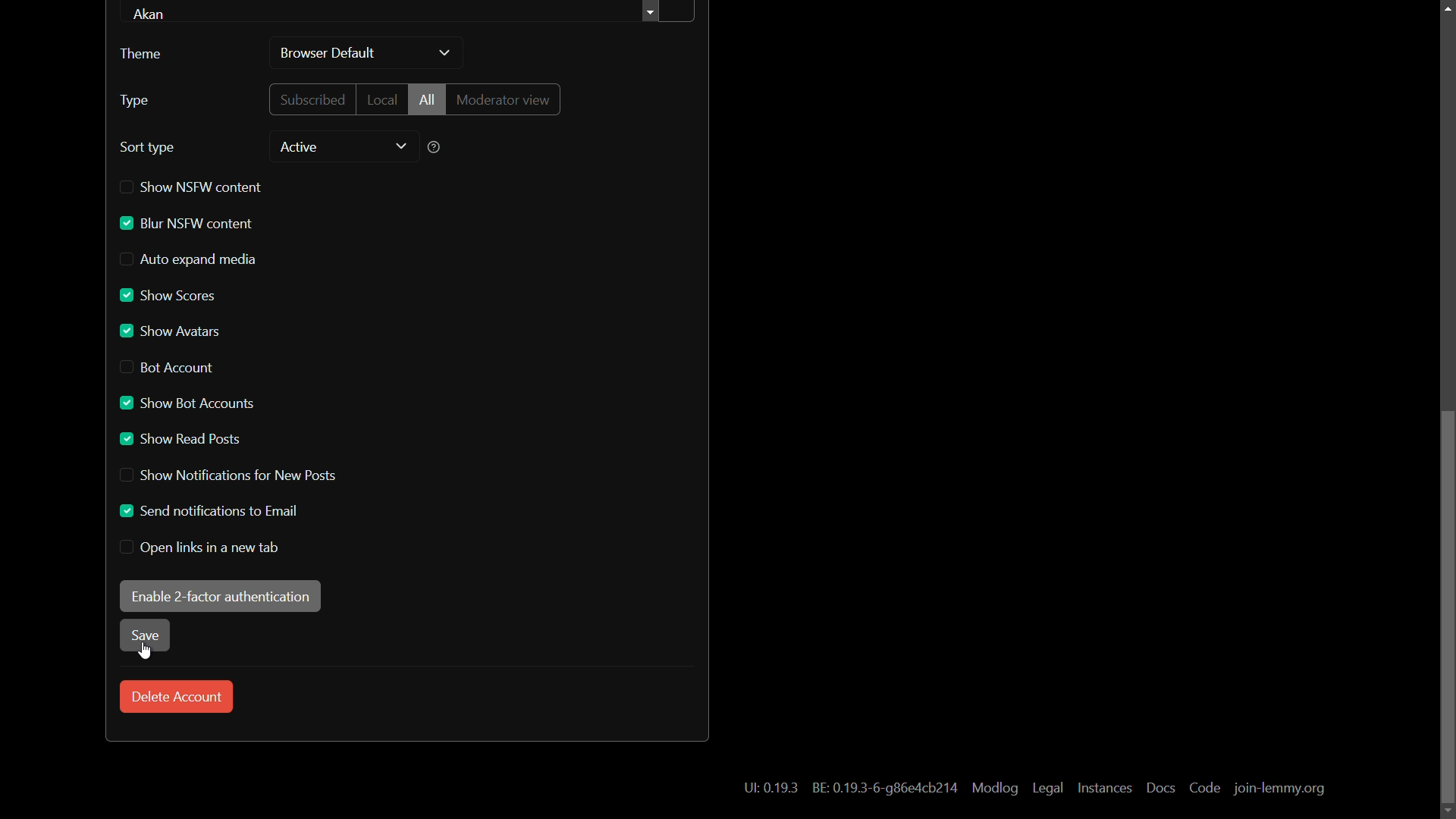 This screenshot has height=819, width=1456. I want to click on local, so click(381, 99).